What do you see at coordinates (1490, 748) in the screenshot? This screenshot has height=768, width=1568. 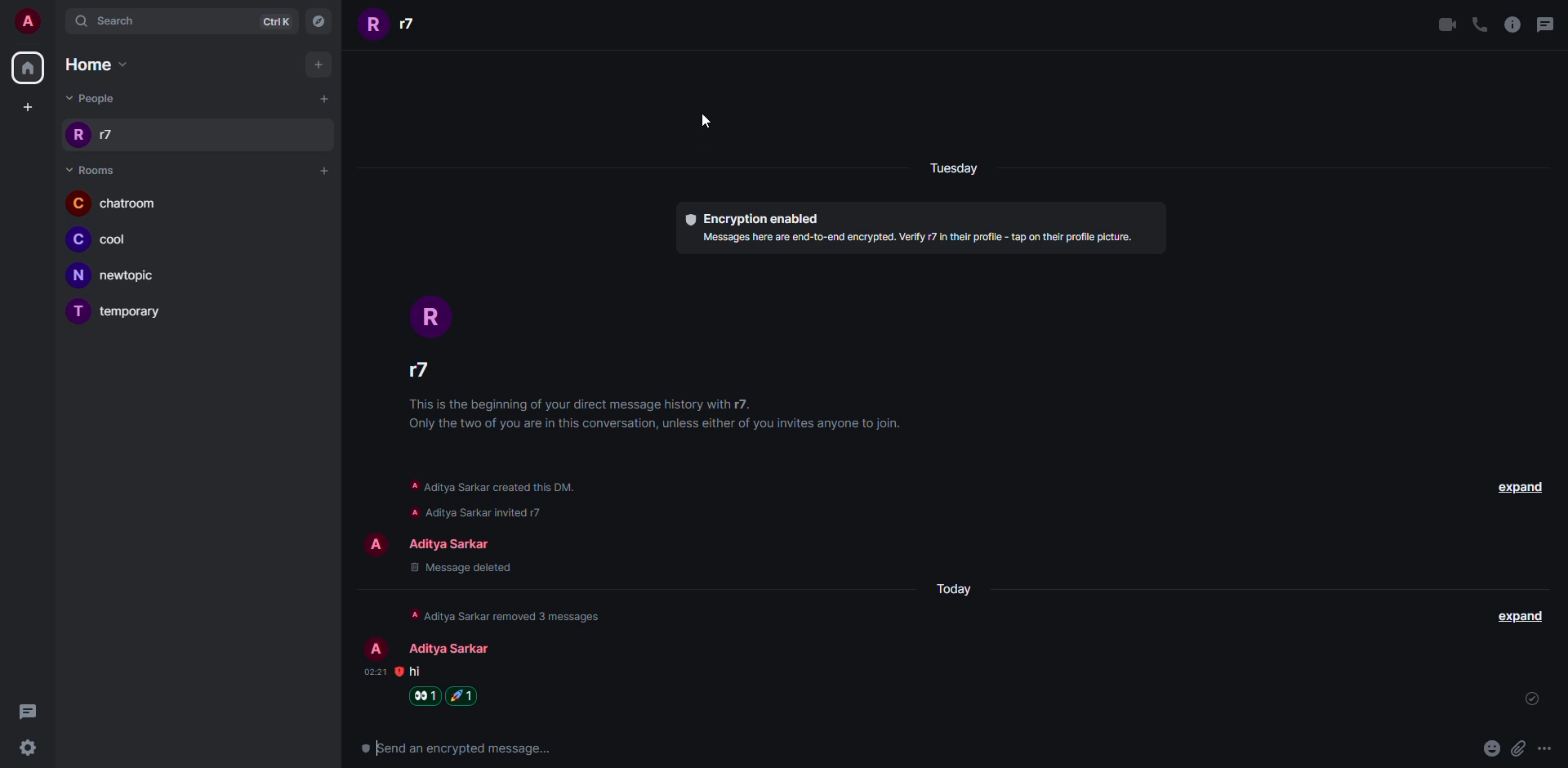 I see `emoji` at bounding box center [1490, 748].